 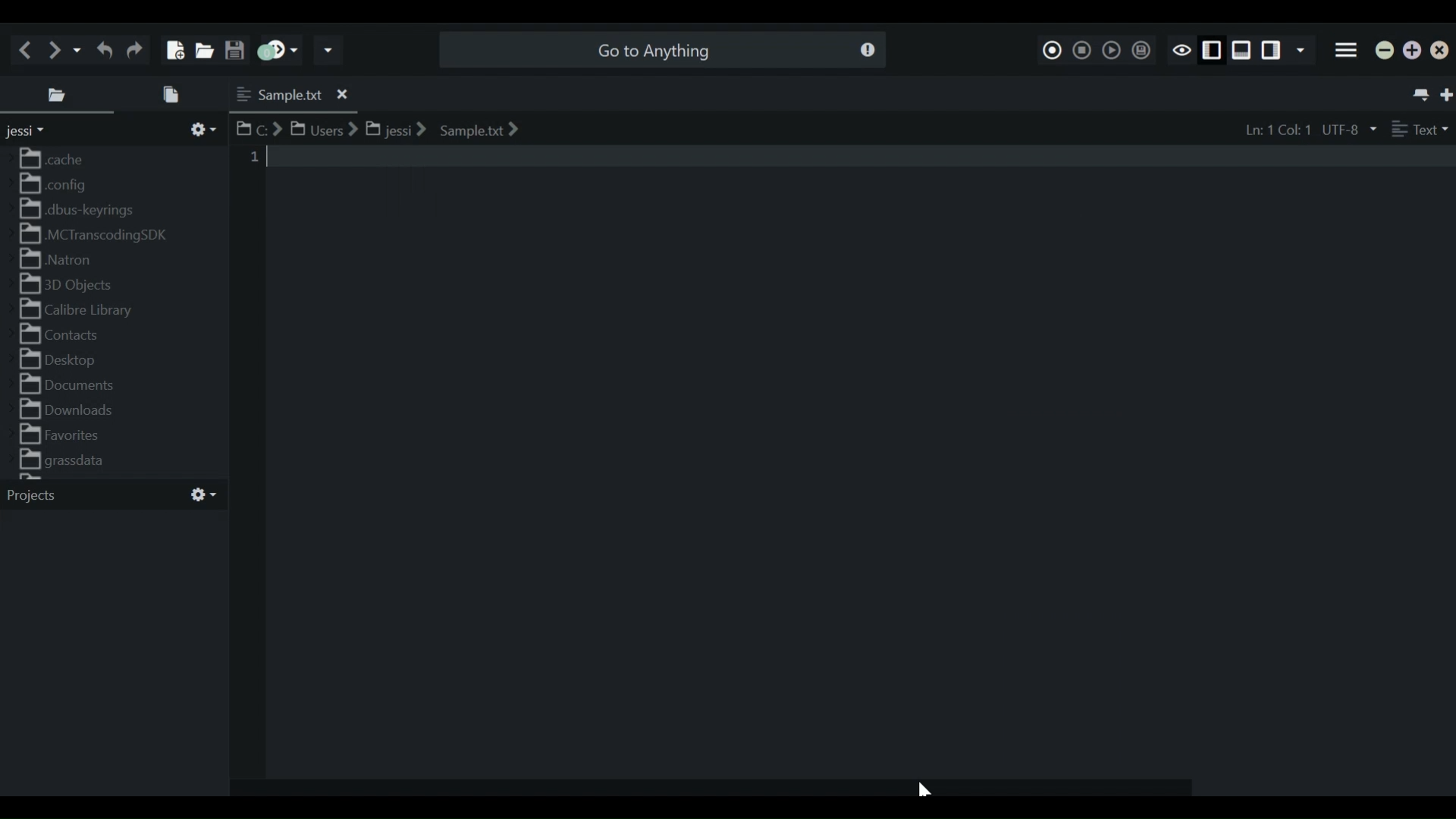 I want to click on Show/Hide Bottom Pane, so click(x=1241, y=50).